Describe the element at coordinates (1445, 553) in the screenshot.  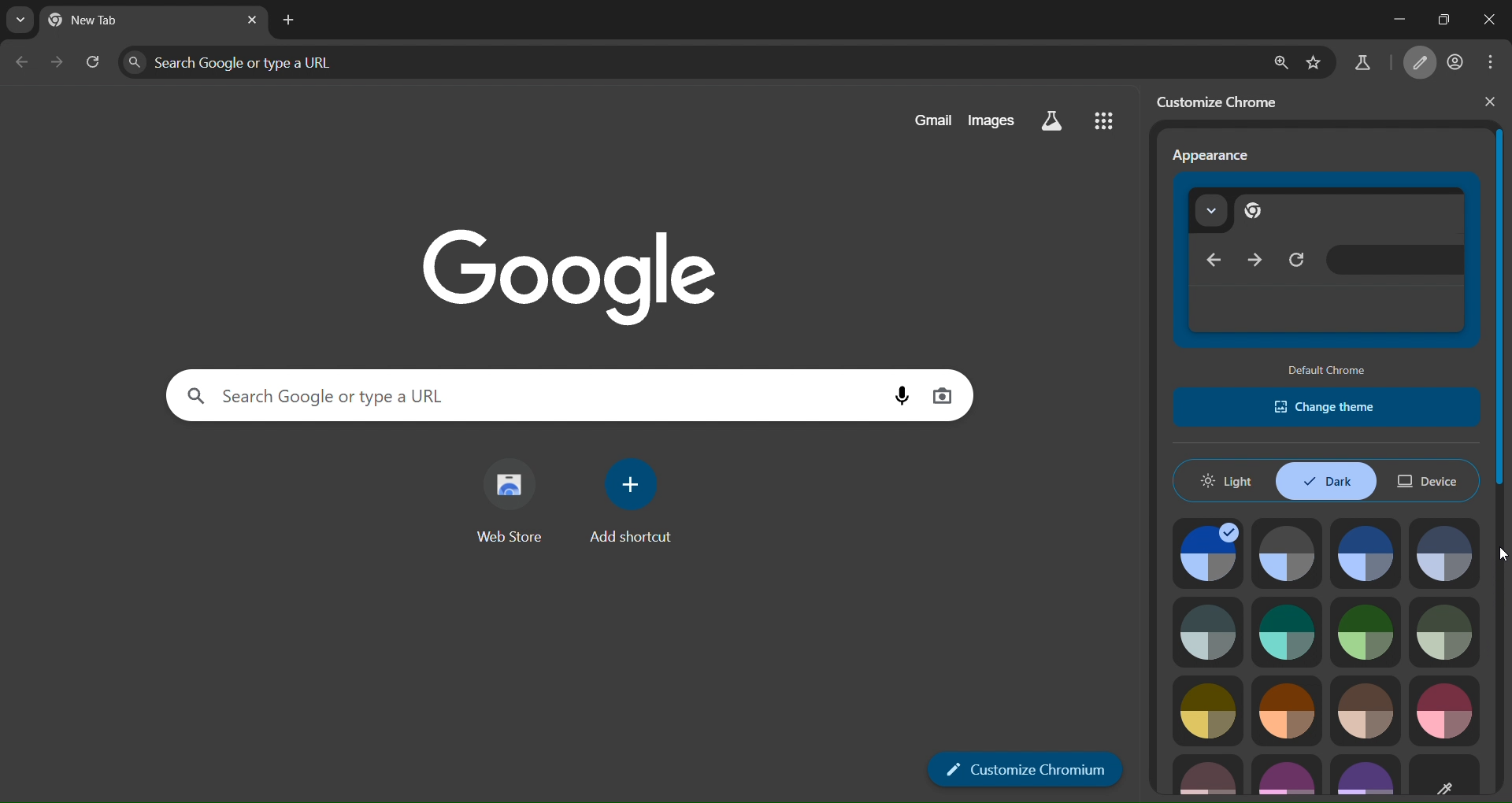
I see `theme` at that location.